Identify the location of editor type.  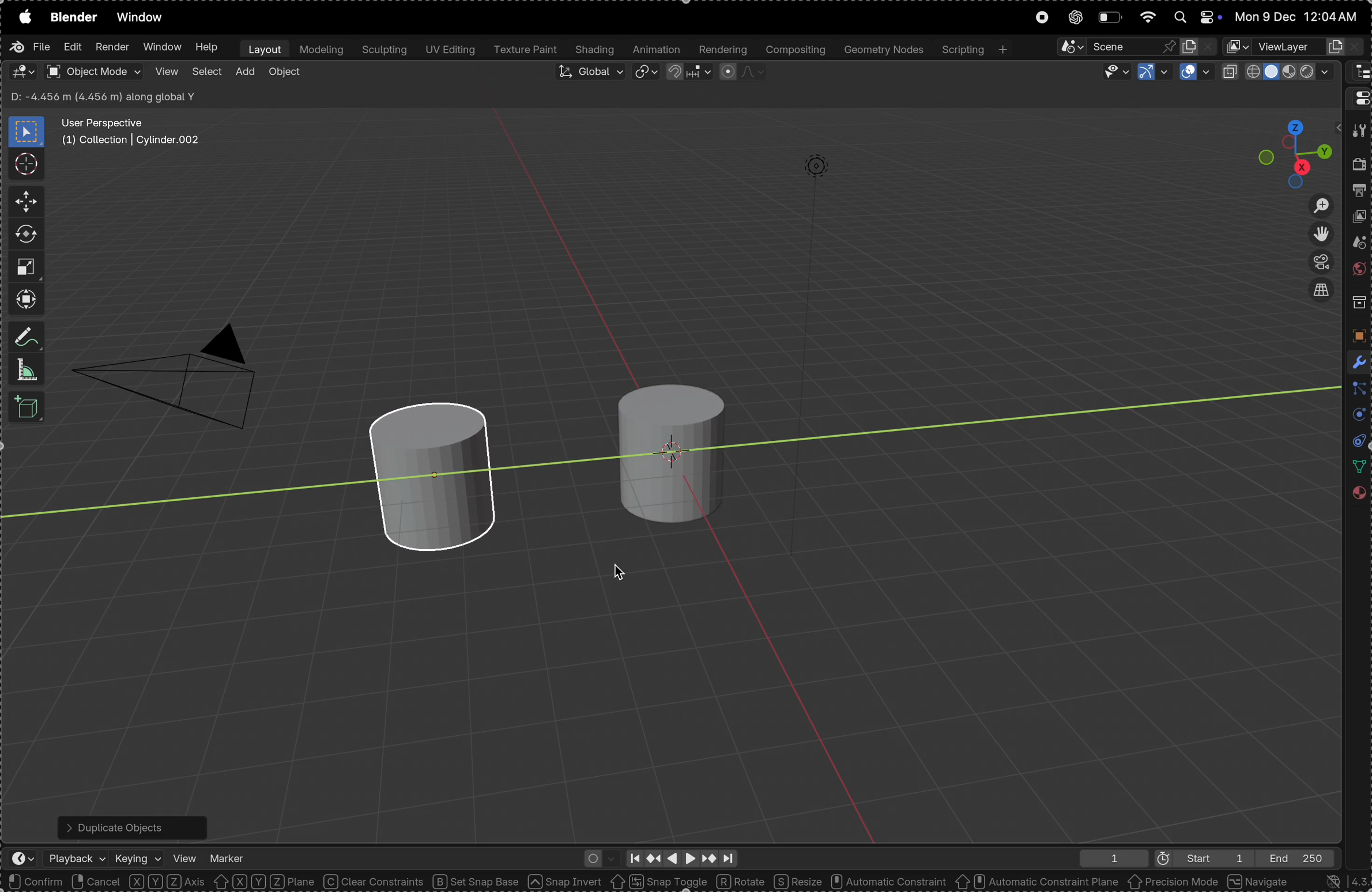
(17, 860).